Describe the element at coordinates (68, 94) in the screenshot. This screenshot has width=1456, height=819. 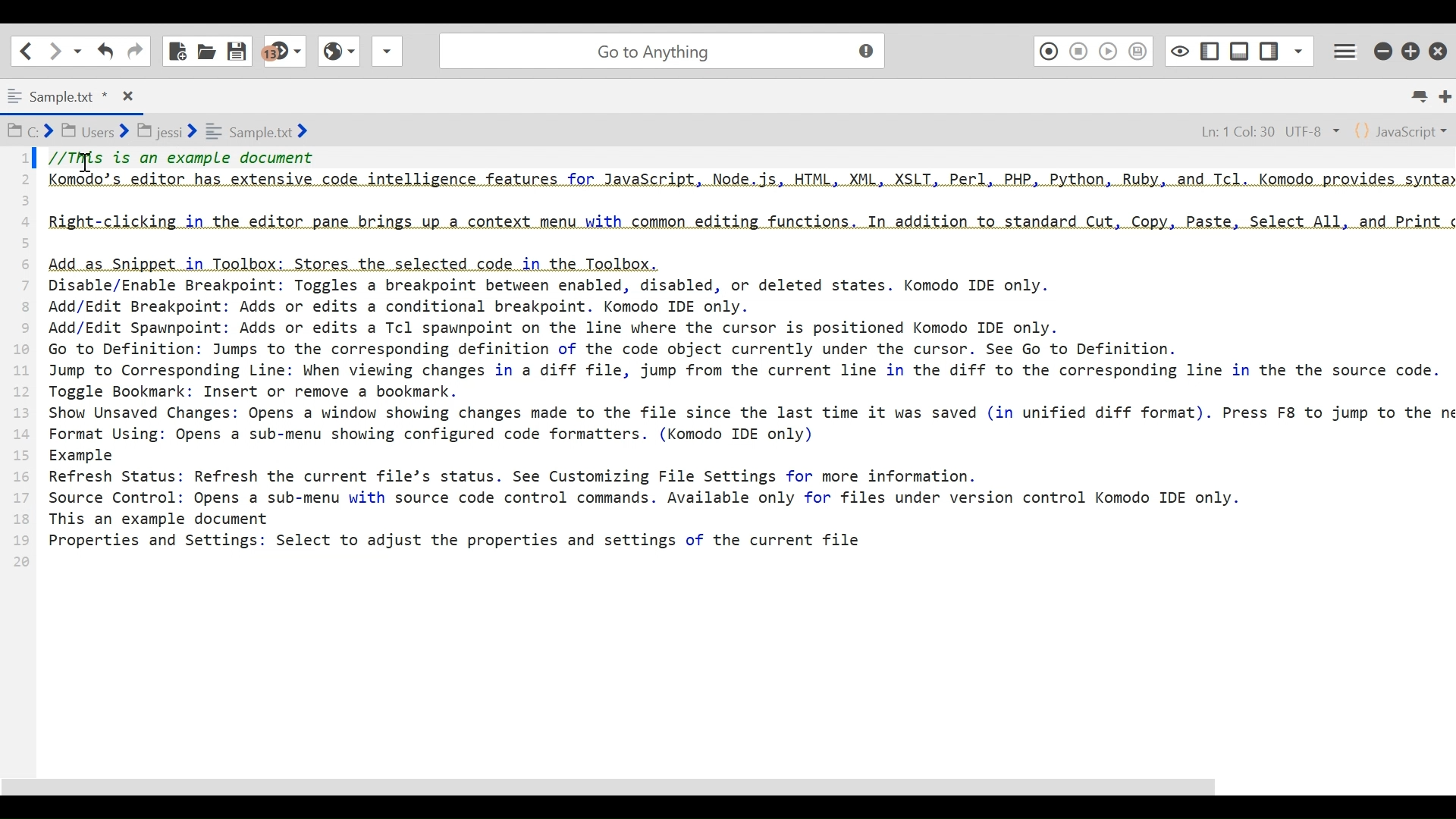
I see `Current Tab` at that location.